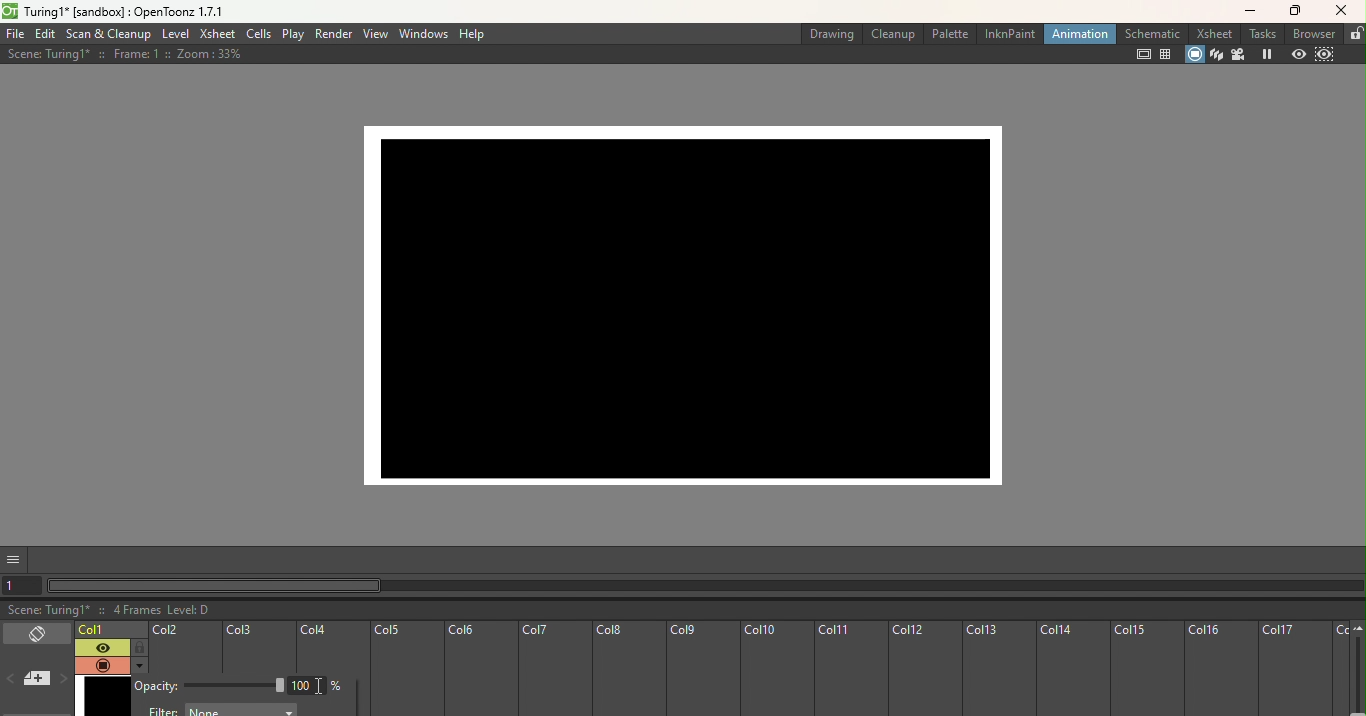 This screenshot has width=1366, height=716. I want to click on Col8, so click(627, 669).